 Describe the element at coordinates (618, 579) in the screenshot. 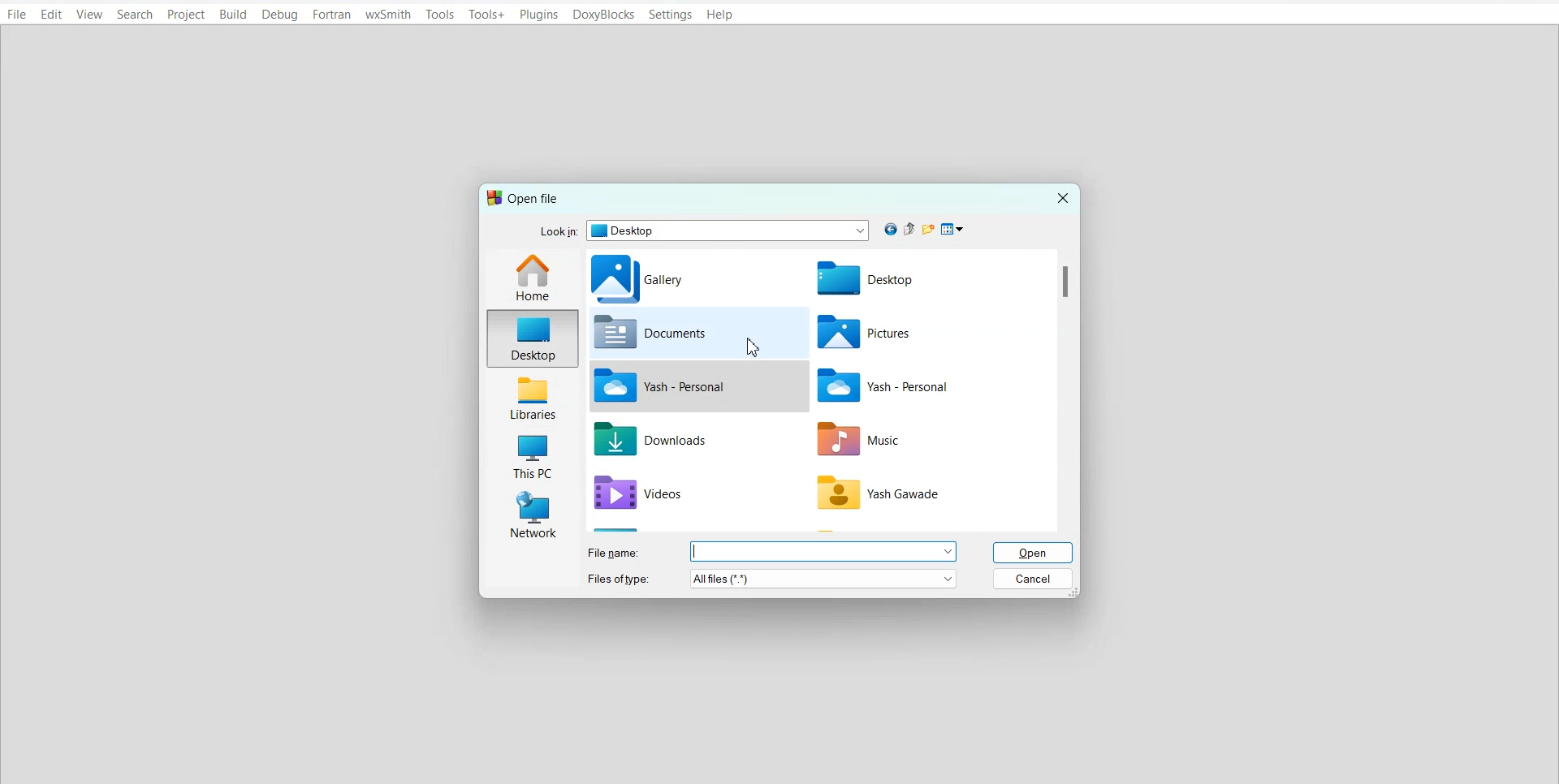

I see `Files of types` at that location.